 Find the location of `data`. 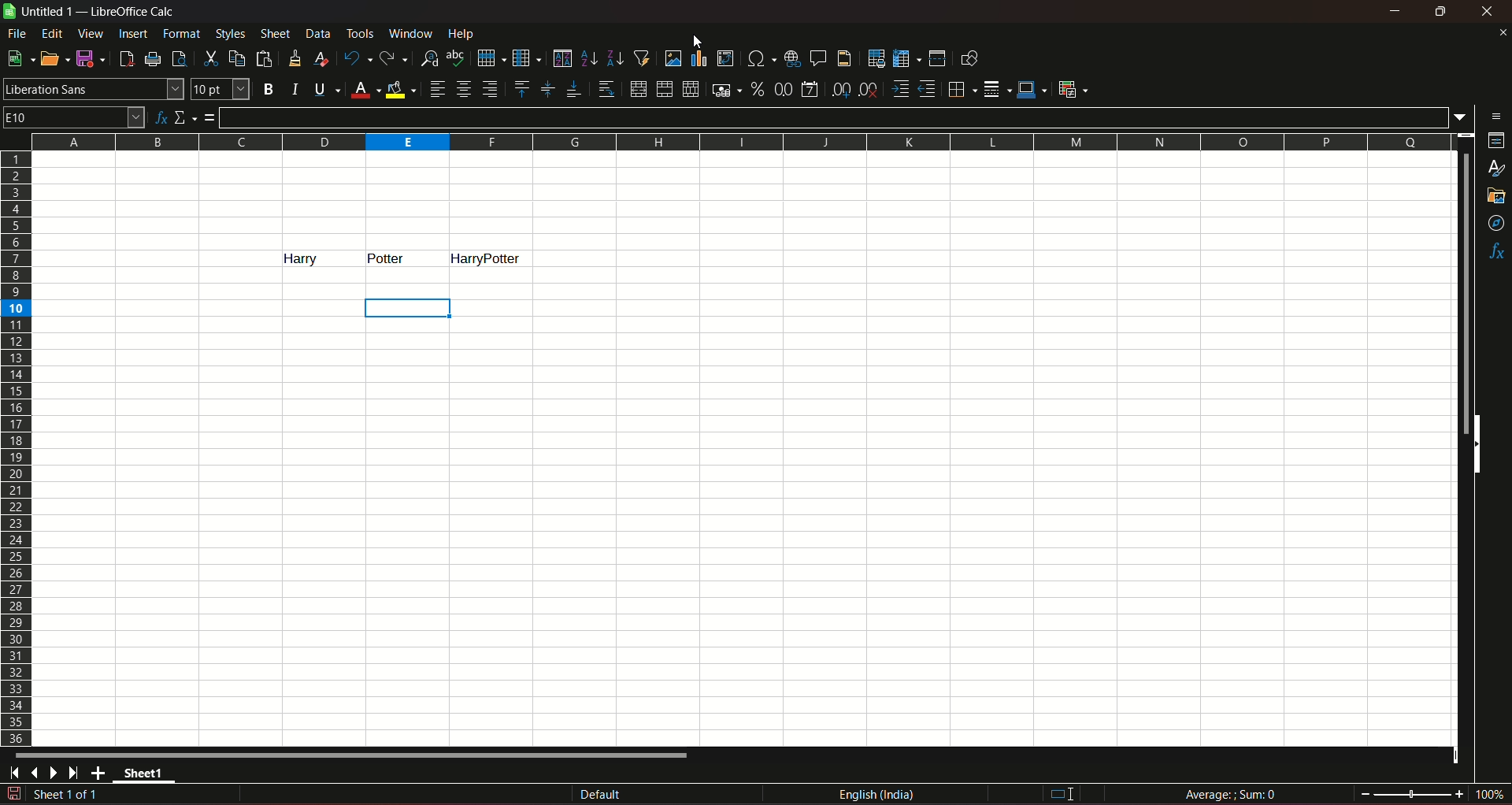

data is located at coordinates (318, 33).